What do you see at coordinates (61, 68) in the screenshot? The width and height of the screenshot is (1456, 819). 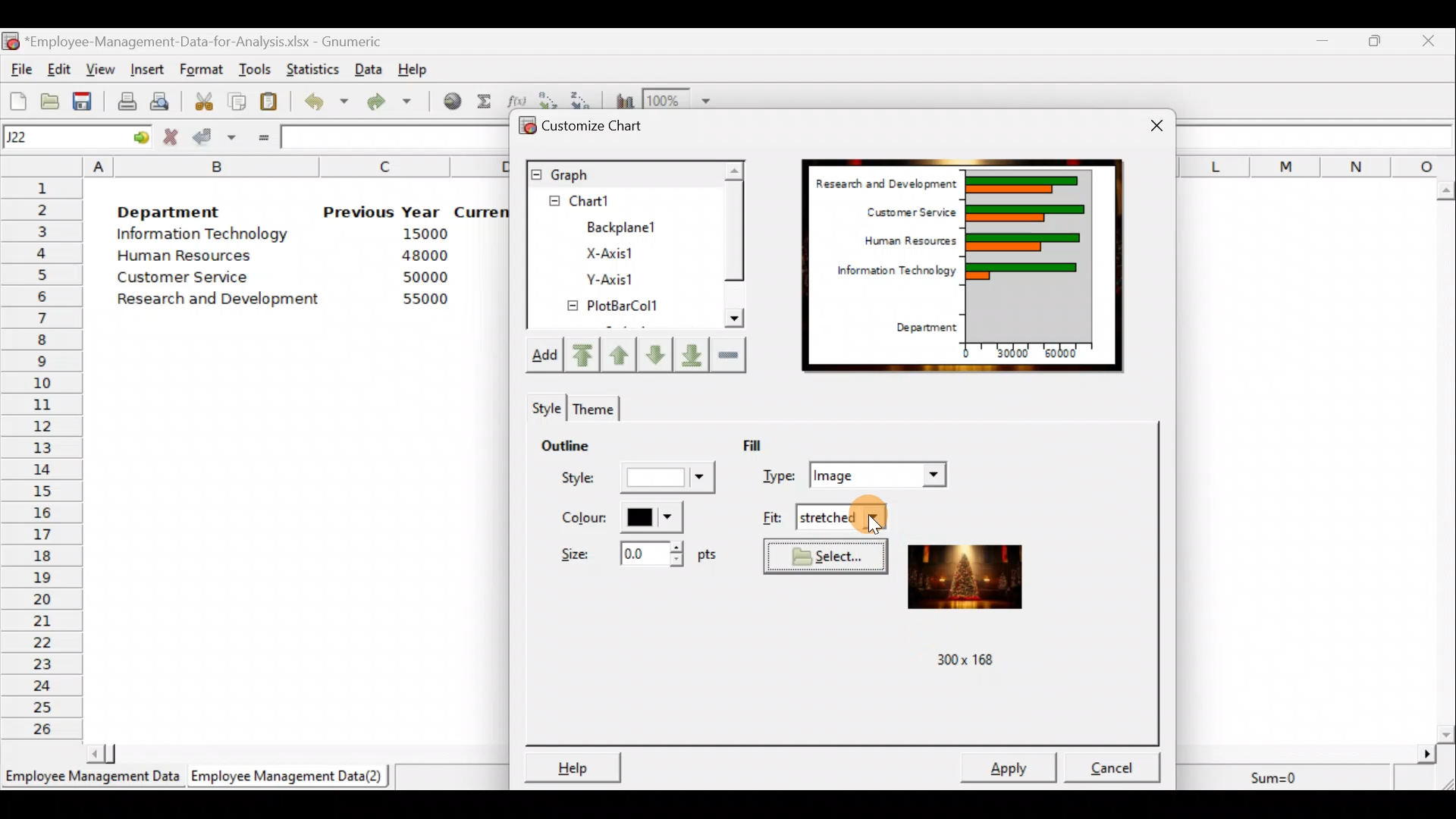 I see `Edit` at bounding box center [61, 68].